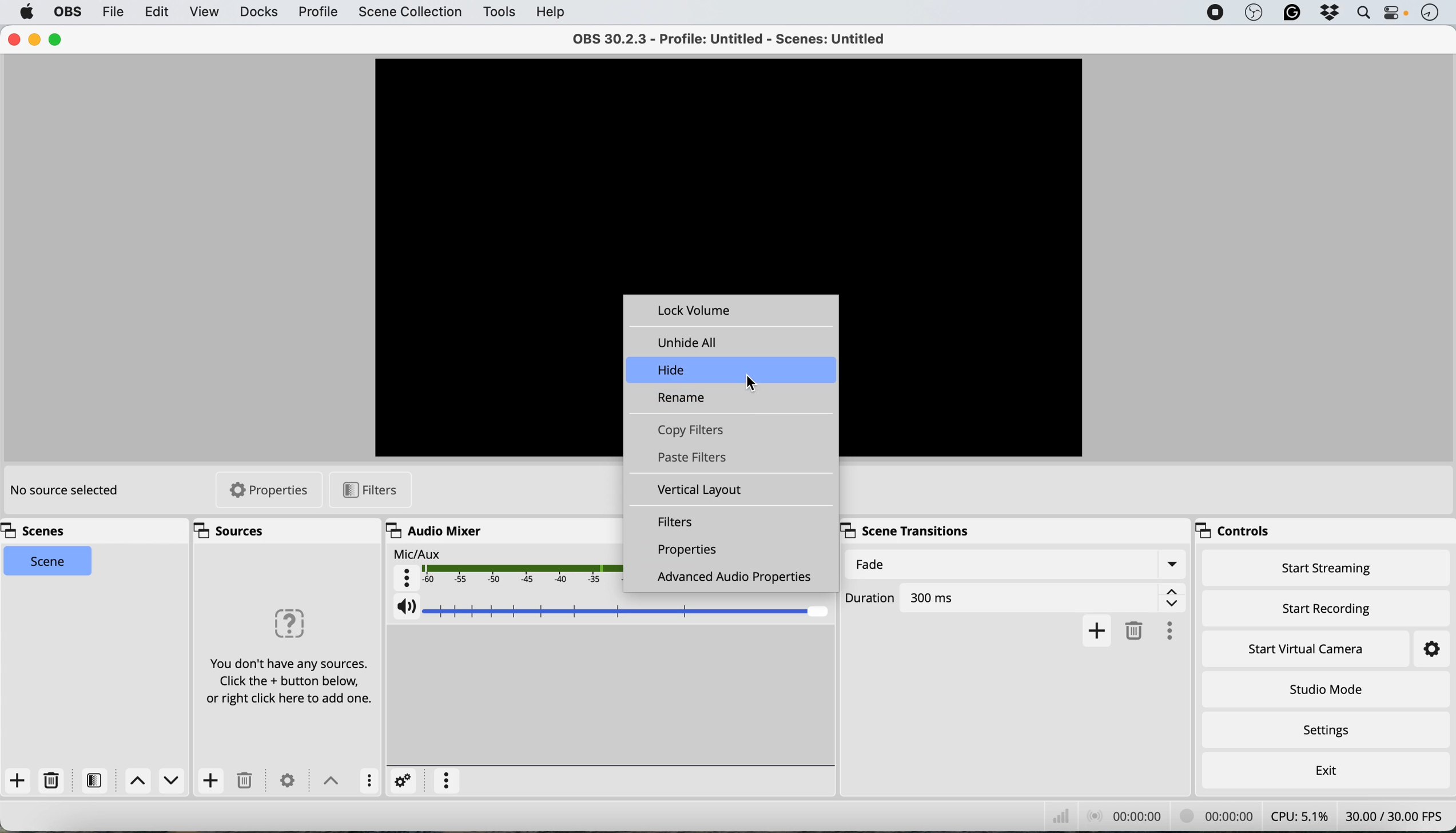 The width and height of the screenshot is (1456, 833). I want to click on filters, so click(368, 493).